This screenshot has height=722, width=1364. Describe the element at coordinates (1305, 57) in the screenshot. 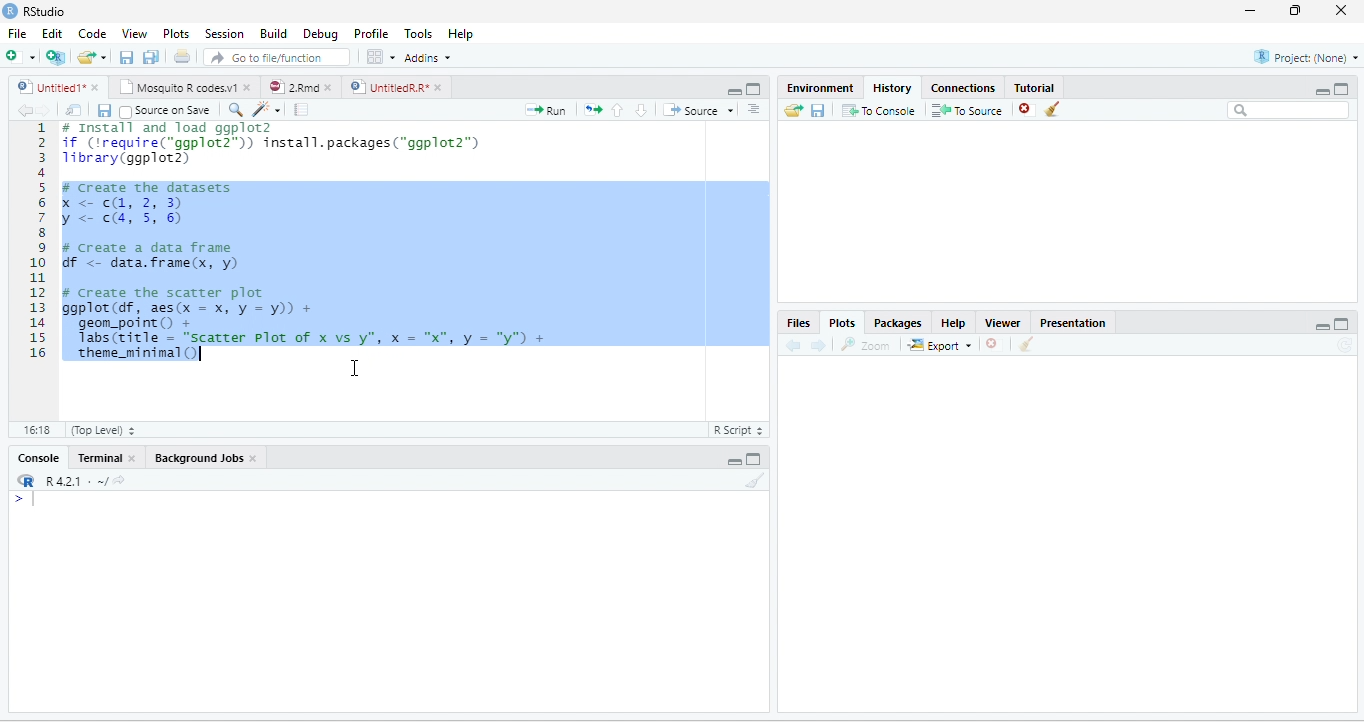

I see `Project: (None)` at that location.